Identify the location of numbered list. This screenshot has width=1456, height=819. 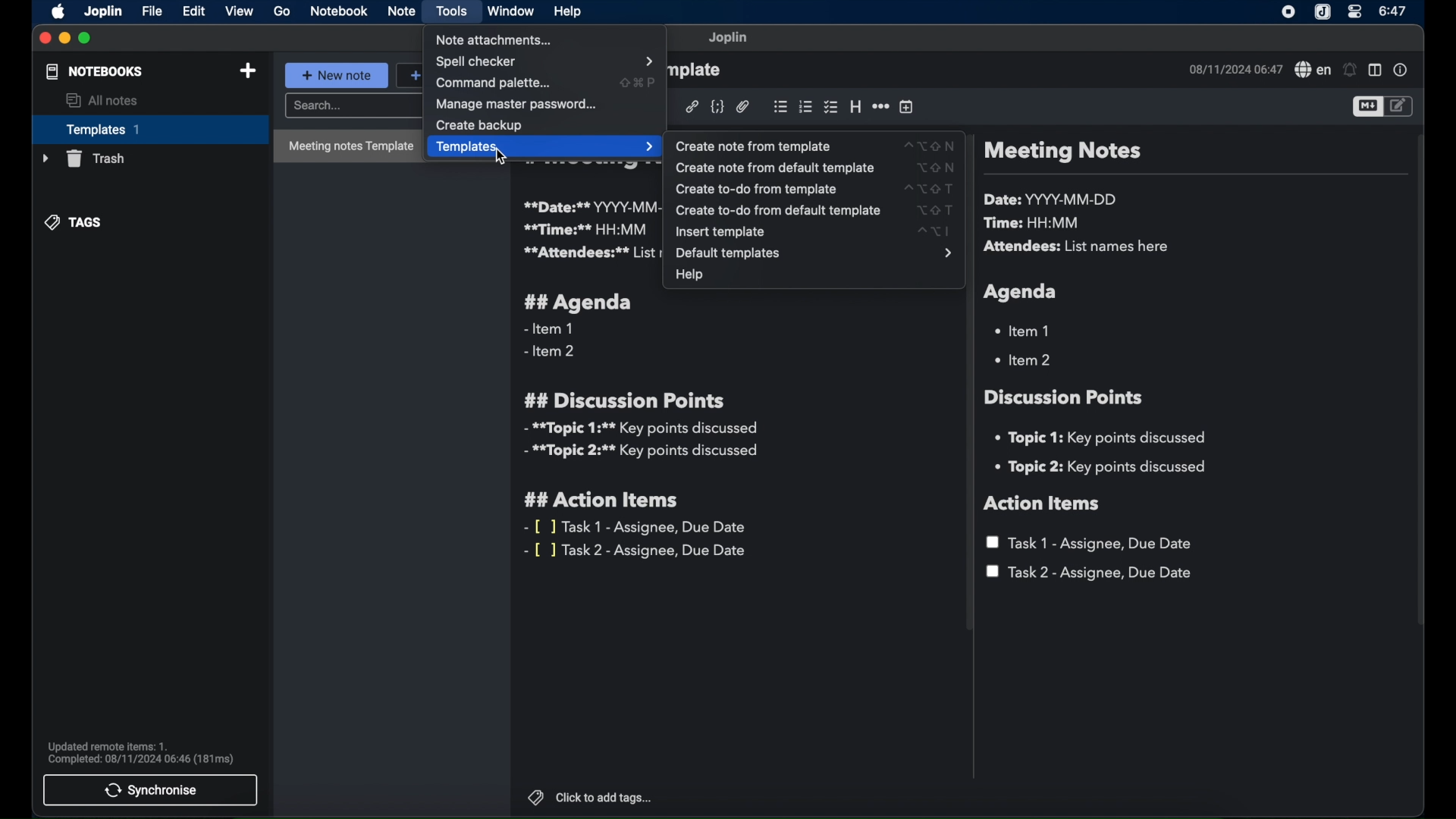
(805, 107).